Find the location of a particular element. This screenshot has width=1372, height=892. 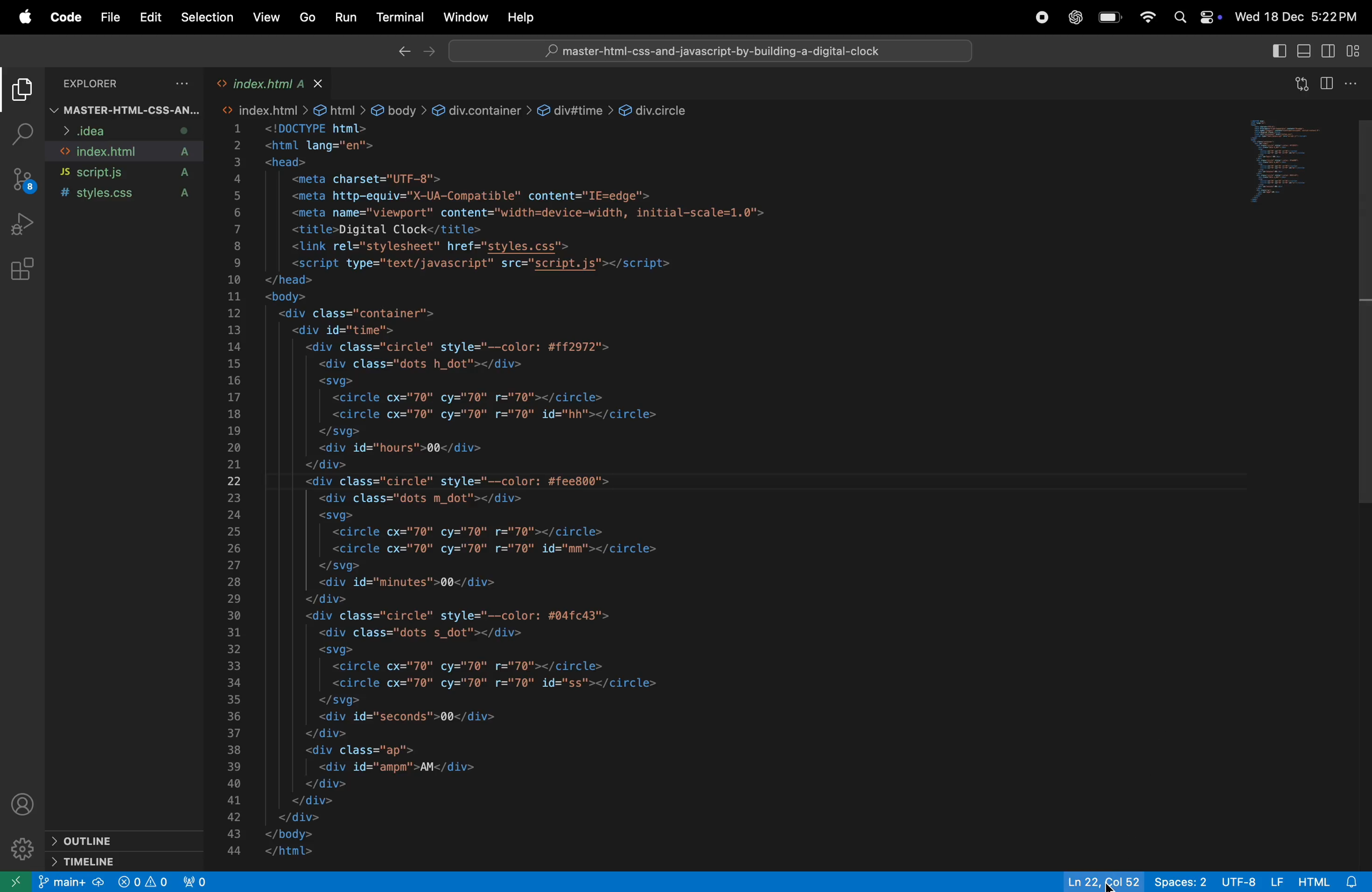

wifi is located at coordinates (1145, 19).